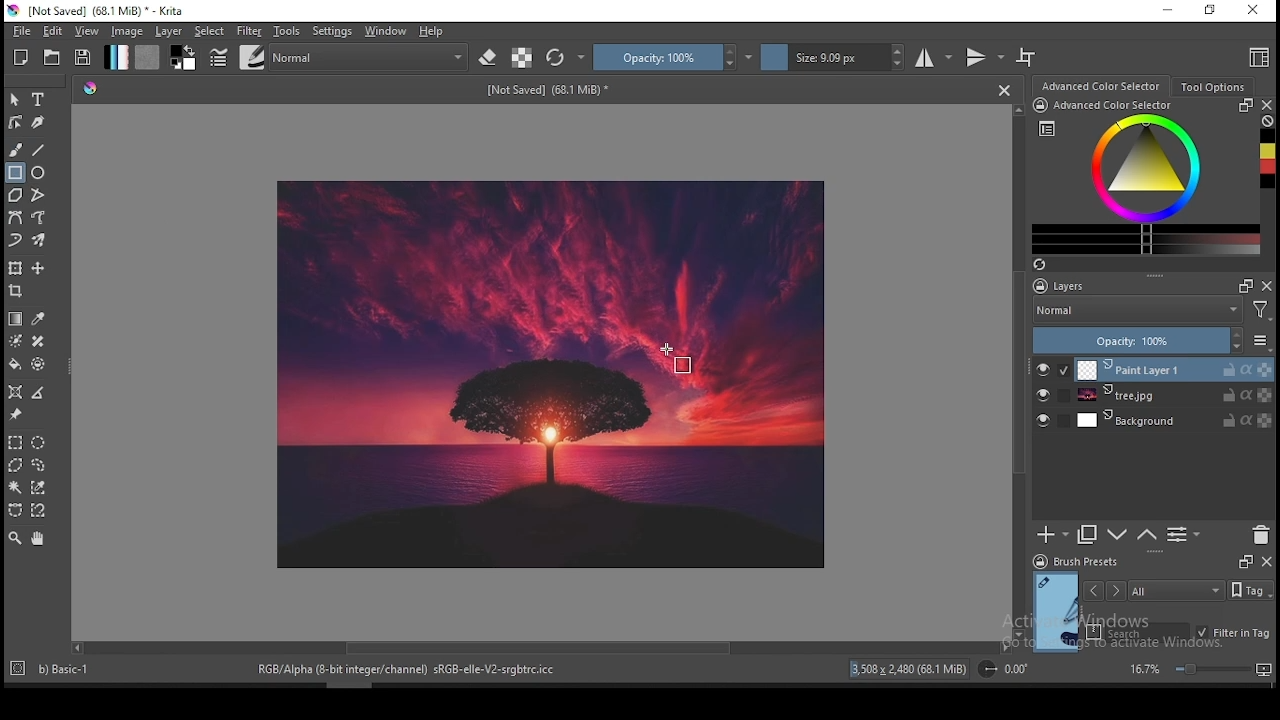  Describe the element at coordinates (551, 90) in the screenshot. I see `text` at that location.